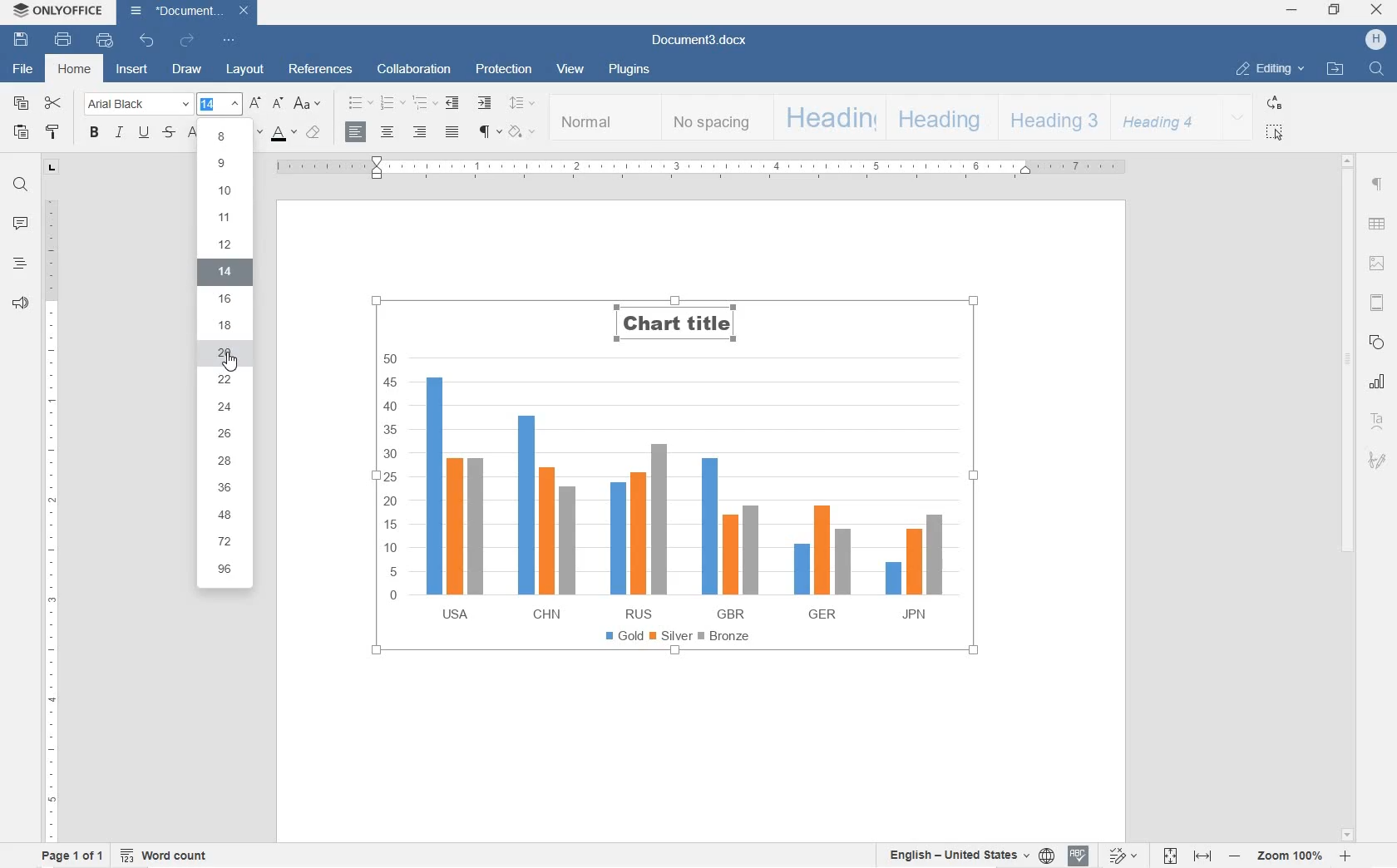 The image size is (1397, 868). What do you see at coordinates (1186, 855) in the screenshot?
I see `FIT TO PAGE OR WIDTH` at bounding box center [1186, 855].